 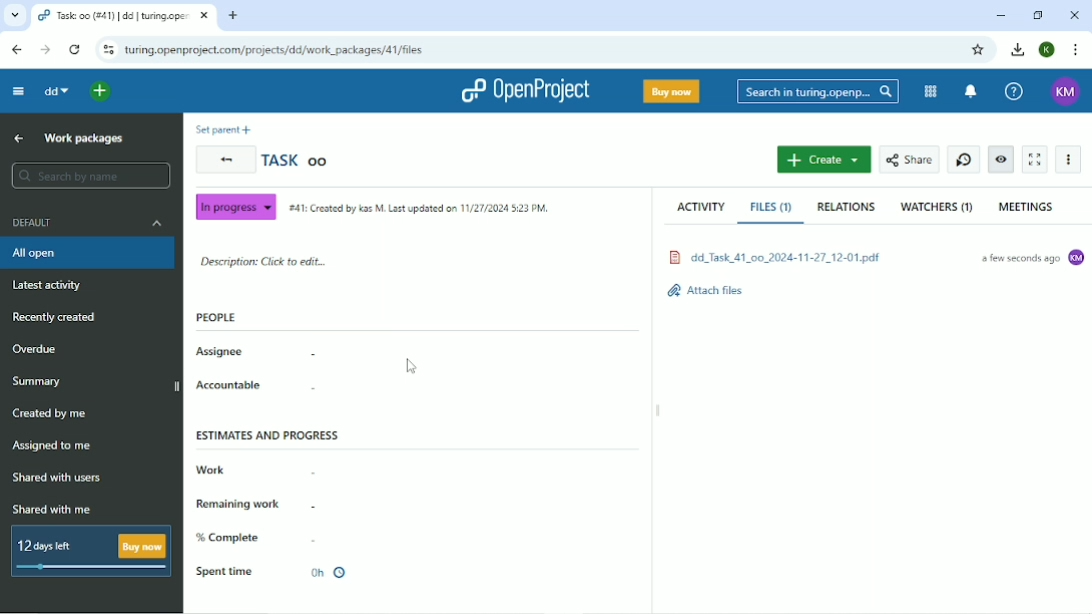 I want to click on Overdue, so click(x=37, y=350).